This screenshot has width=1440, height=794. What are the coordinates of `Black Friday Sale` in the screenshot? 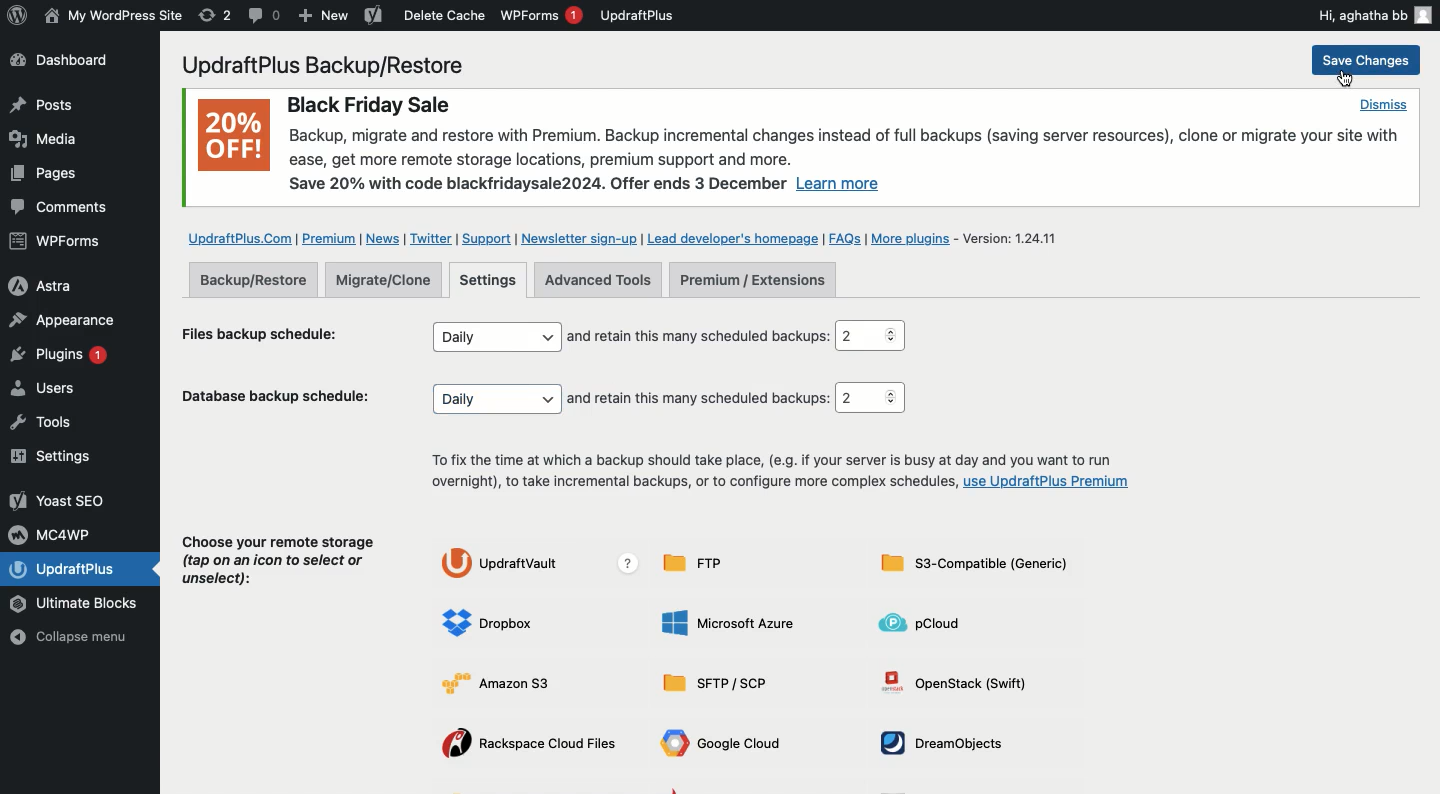 It's located at (367, 102).